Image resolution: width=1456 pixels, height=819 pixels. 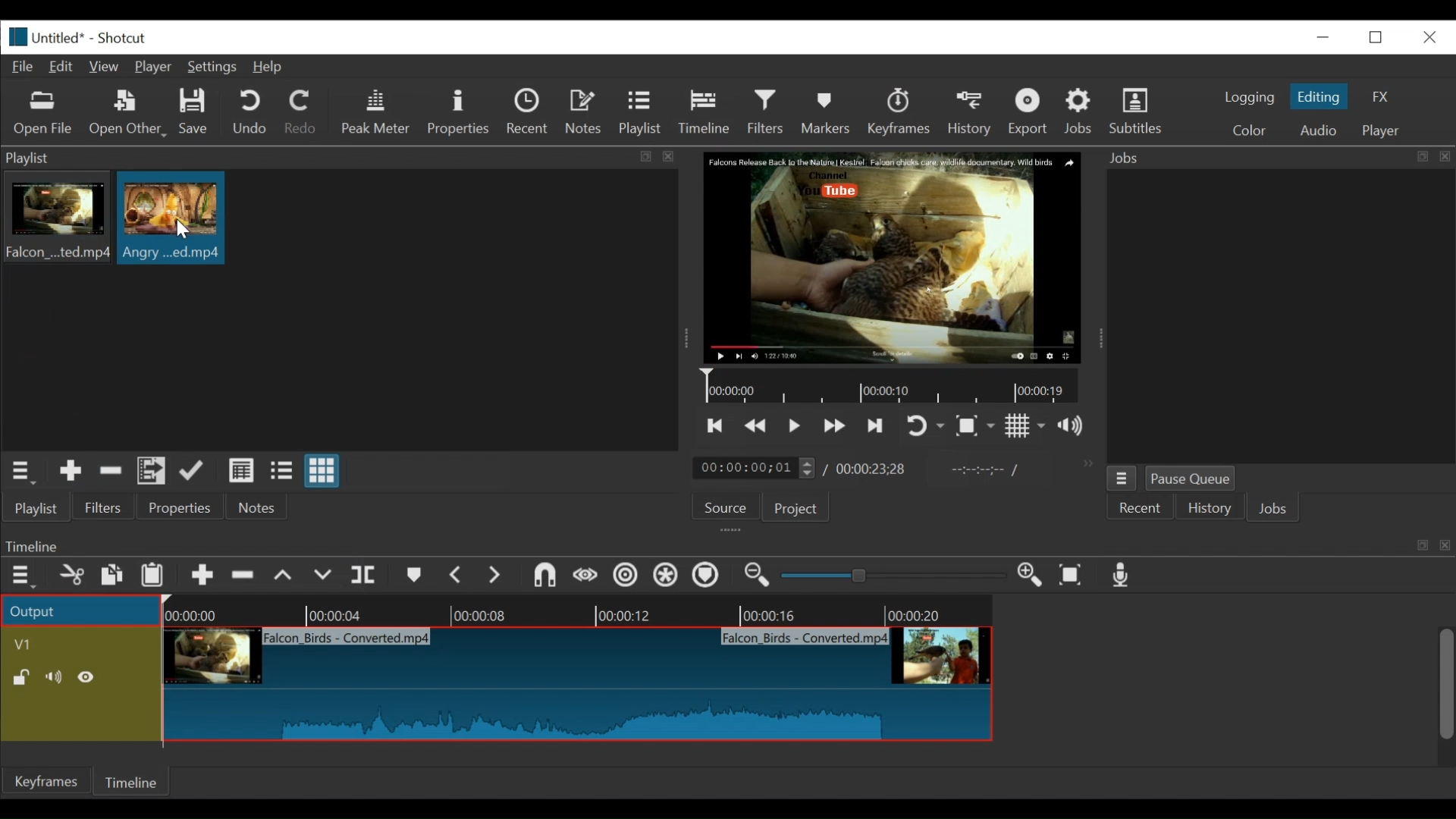 I want to click on next marker, so click(x=497, y=576).